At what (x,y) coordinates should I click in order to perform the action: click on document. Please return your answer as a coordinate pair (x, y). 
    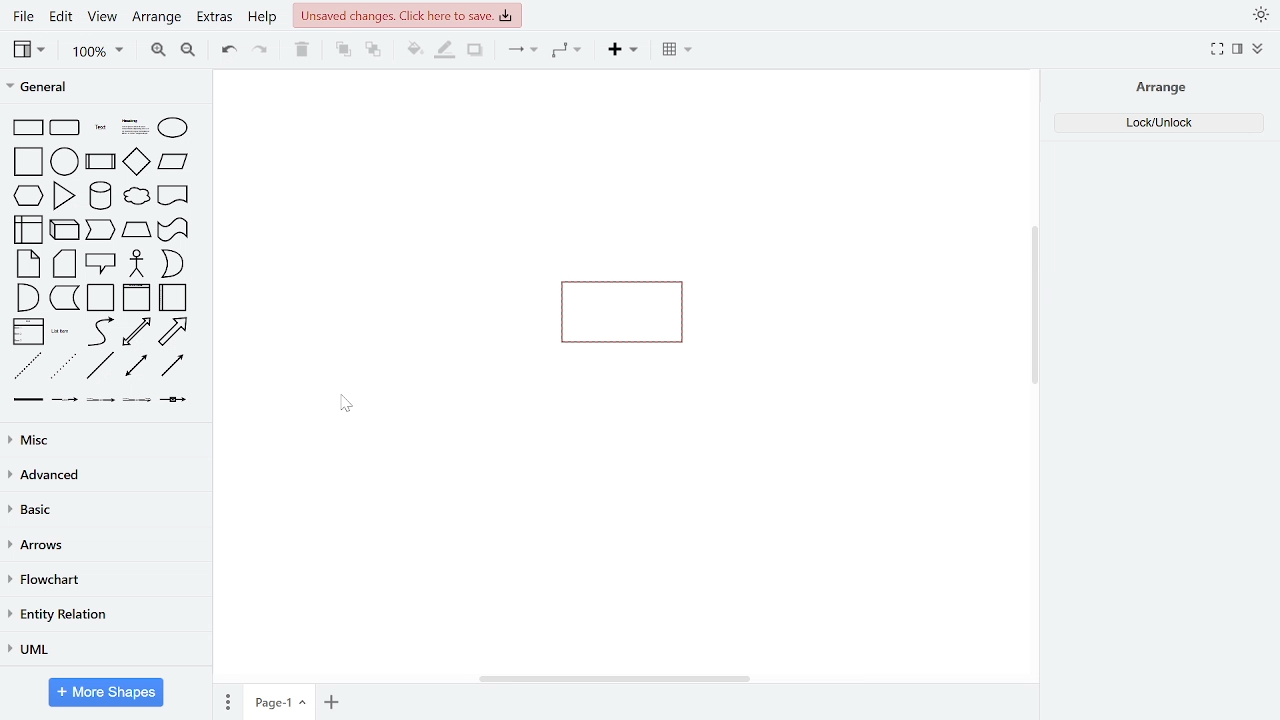
    Looking at the image, I should click on (173, 196).